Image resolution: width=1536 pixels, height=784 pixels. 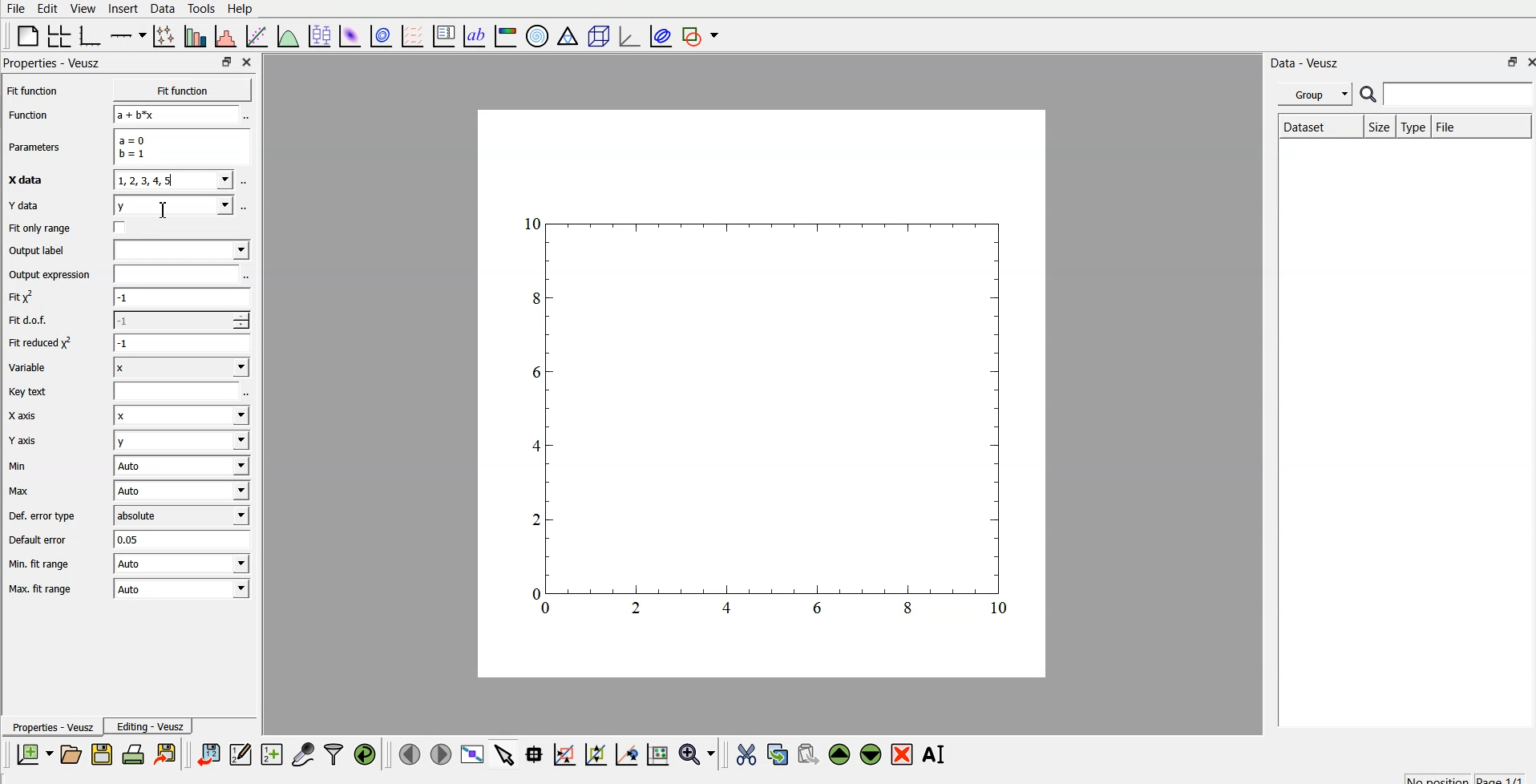 What do you see at coordinates (305, 755) in the screenshot?
I see `capture remote data` at bounding box center [305, 755].